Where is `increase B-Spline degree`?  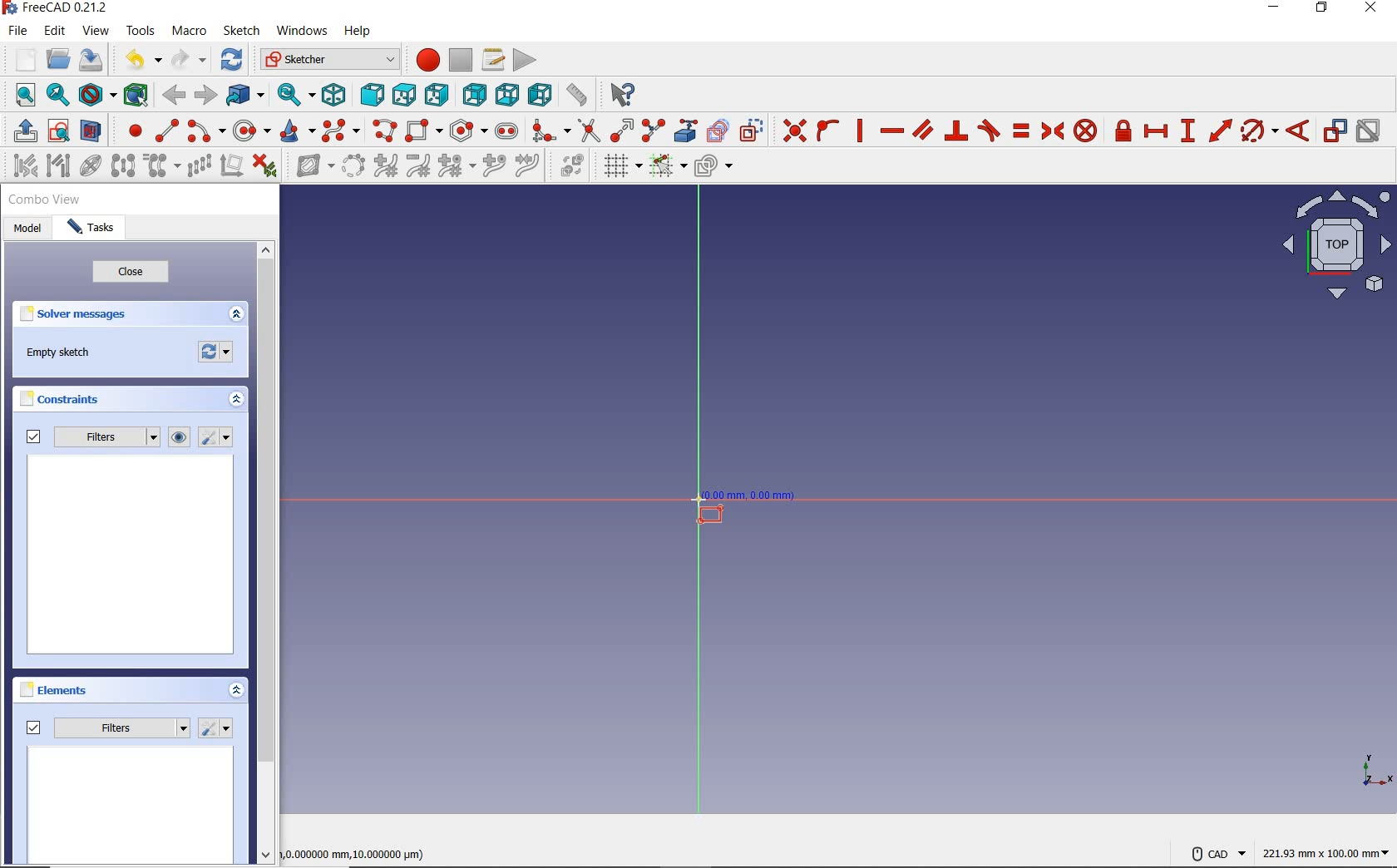 increase B-Spline degree is located at coordinates (385, 167).